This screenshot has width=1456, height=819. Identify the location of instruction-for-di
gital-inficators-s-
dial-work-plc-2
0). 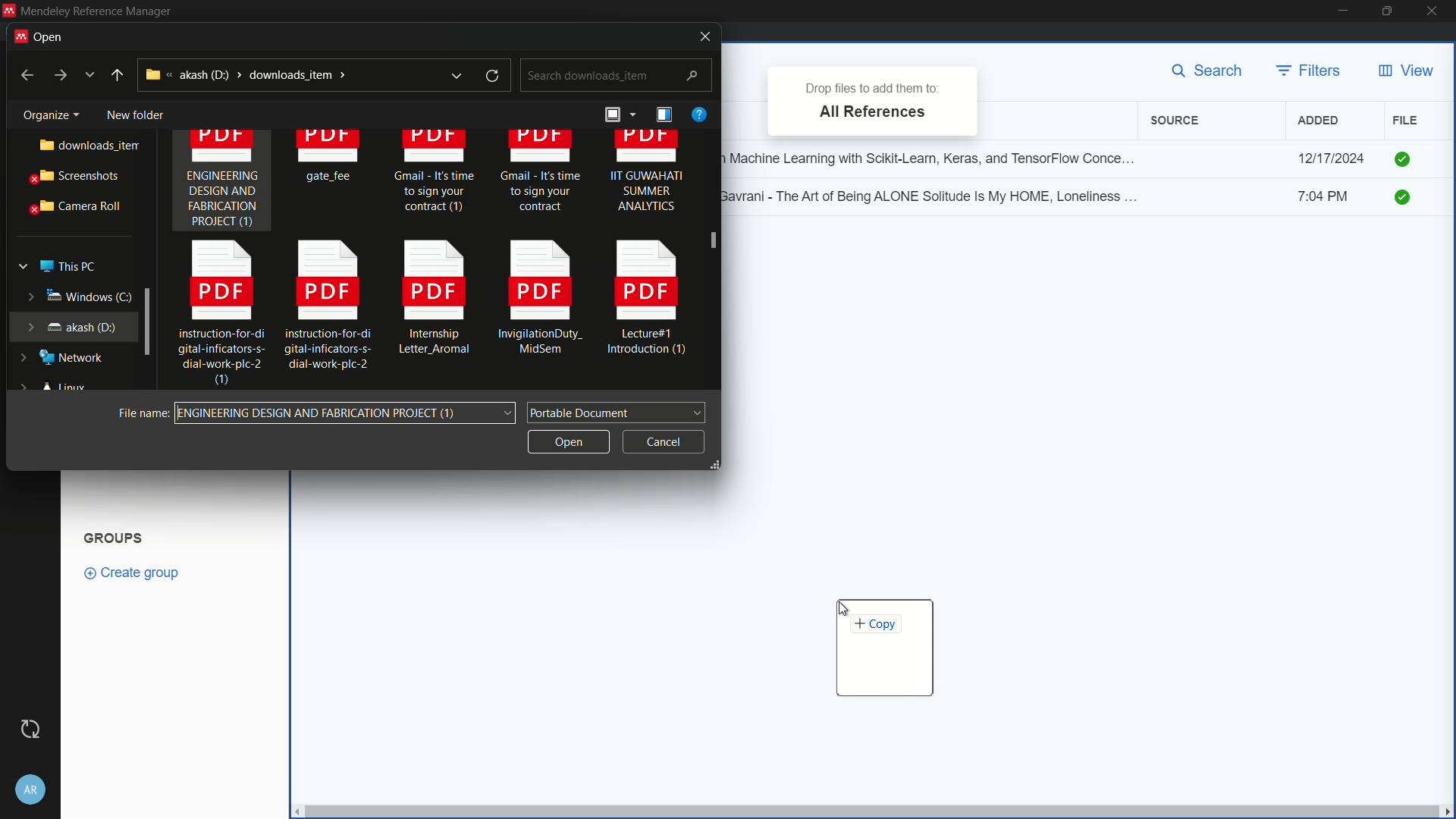
(214, 315).